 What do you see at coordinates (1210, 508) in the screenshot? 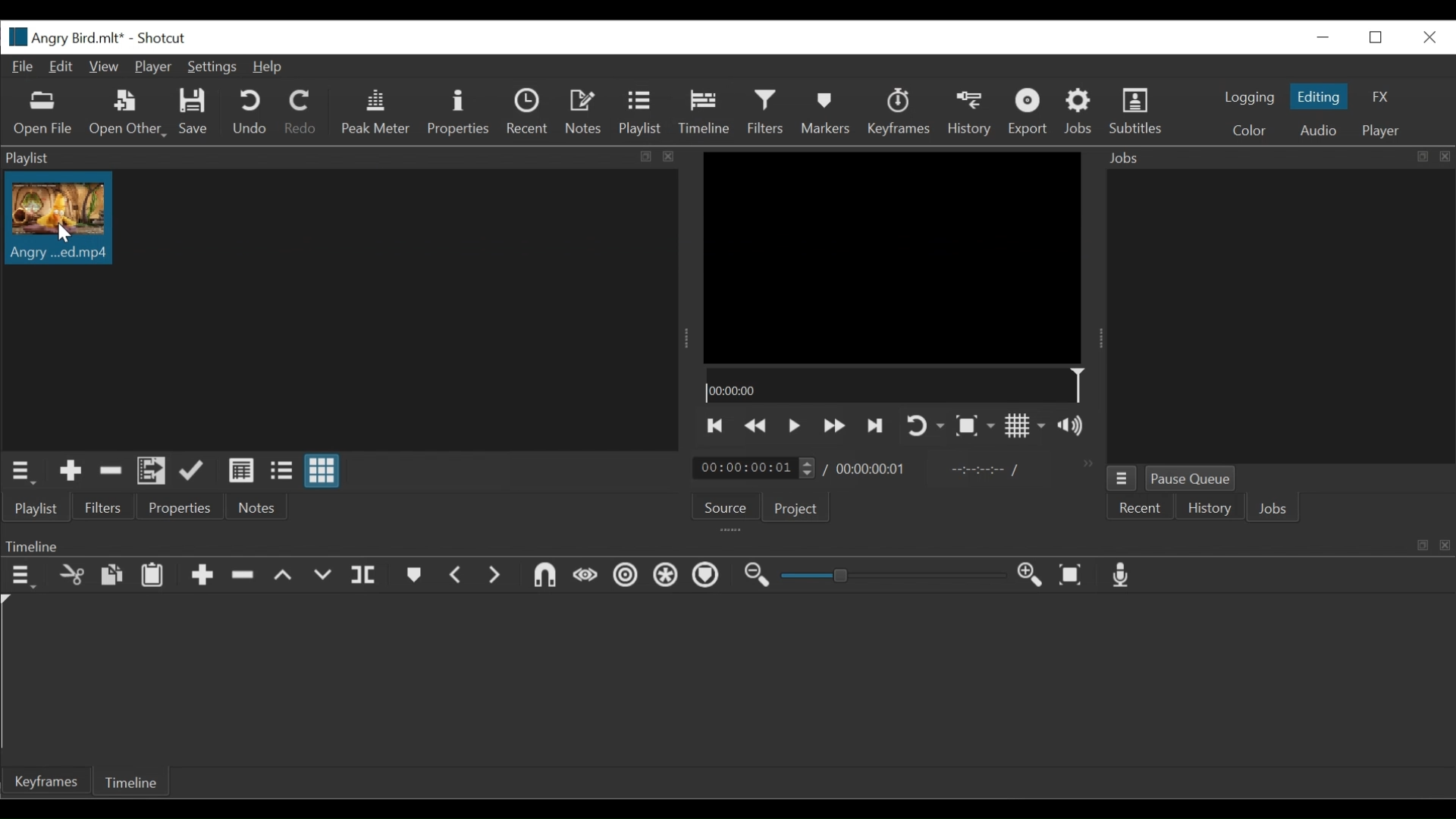
I see `History` at bounding box center [1210, 508].